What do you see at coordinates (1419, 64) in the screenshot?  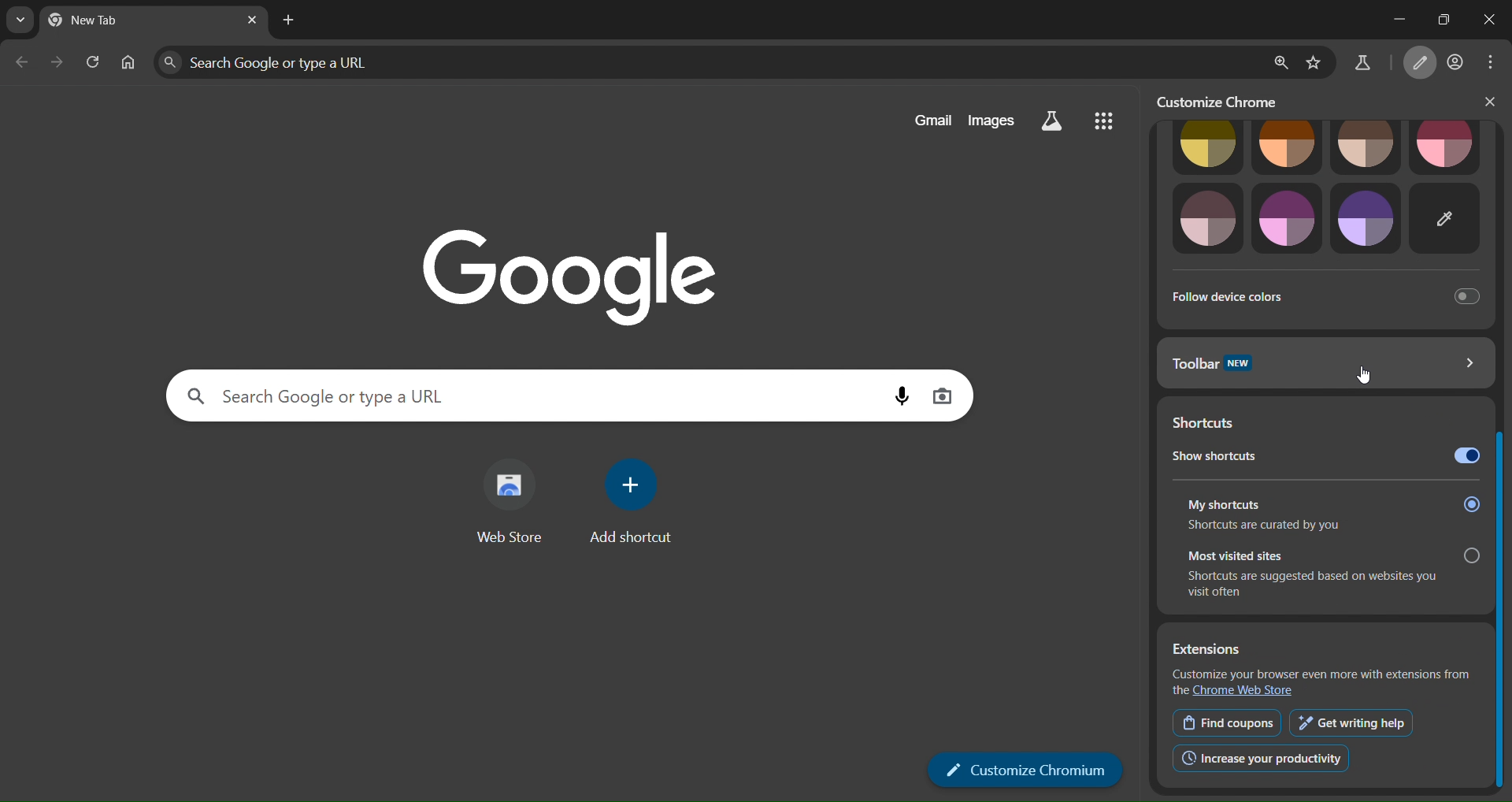 I see `customize chromium` at bounding box center [1419, 64].